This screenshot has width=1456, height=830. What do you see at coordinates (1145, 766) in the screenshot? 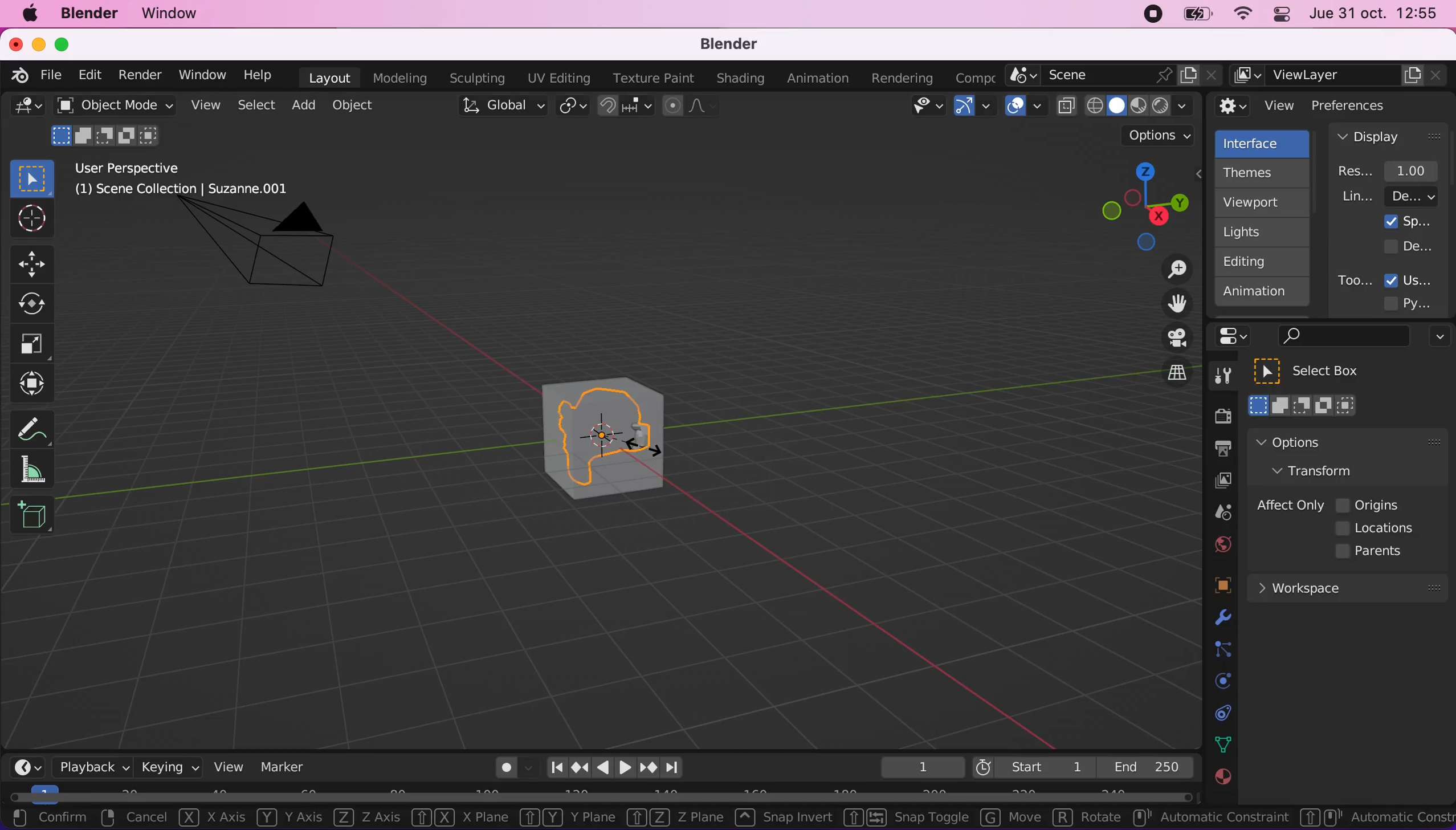
I see `end 250` at bounding box center [1145, 766].